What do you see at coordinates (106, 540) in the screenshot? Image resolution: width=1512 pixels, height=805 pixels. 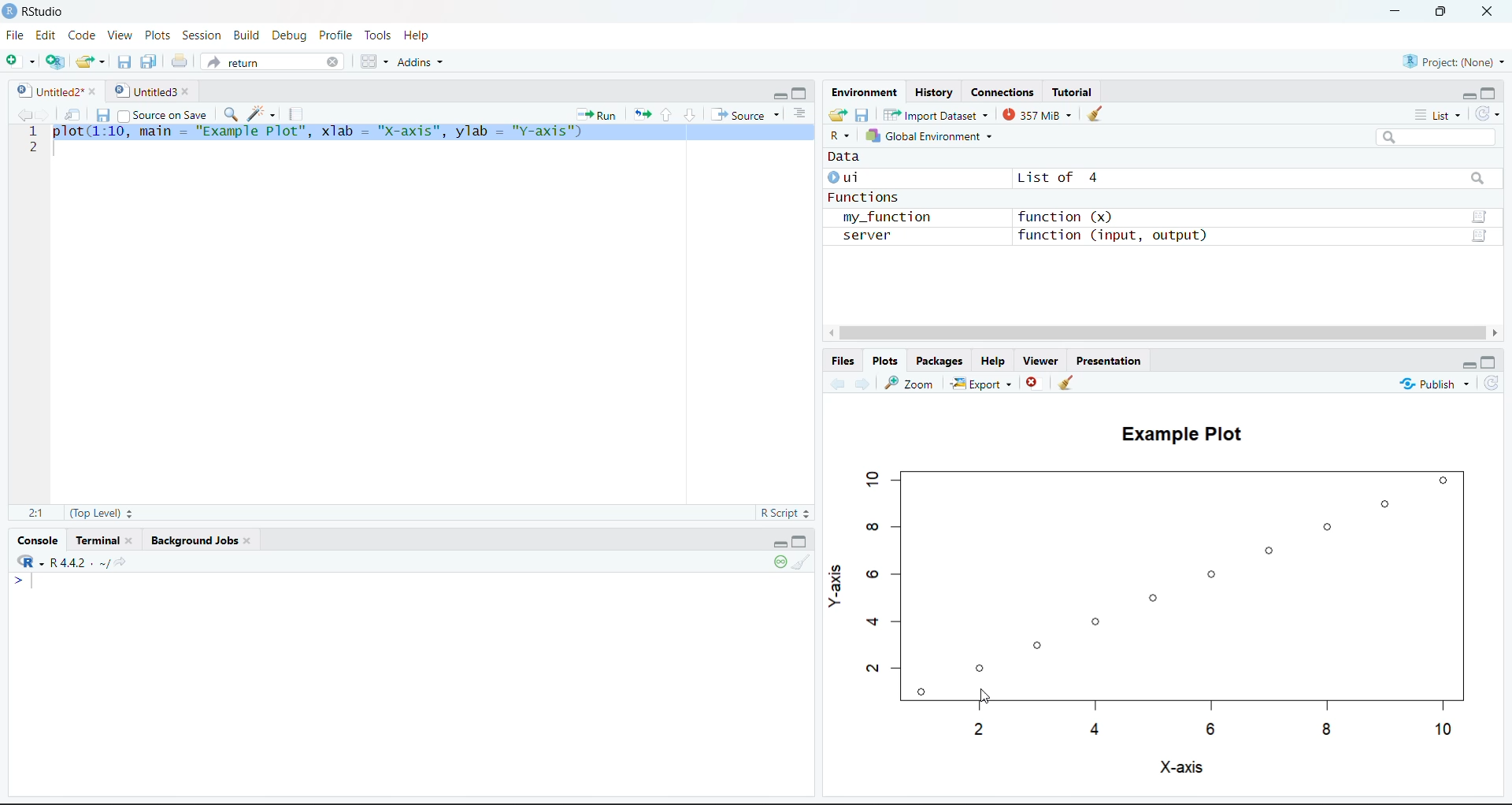 I see `Terminal` at bounding box center [106, 540].